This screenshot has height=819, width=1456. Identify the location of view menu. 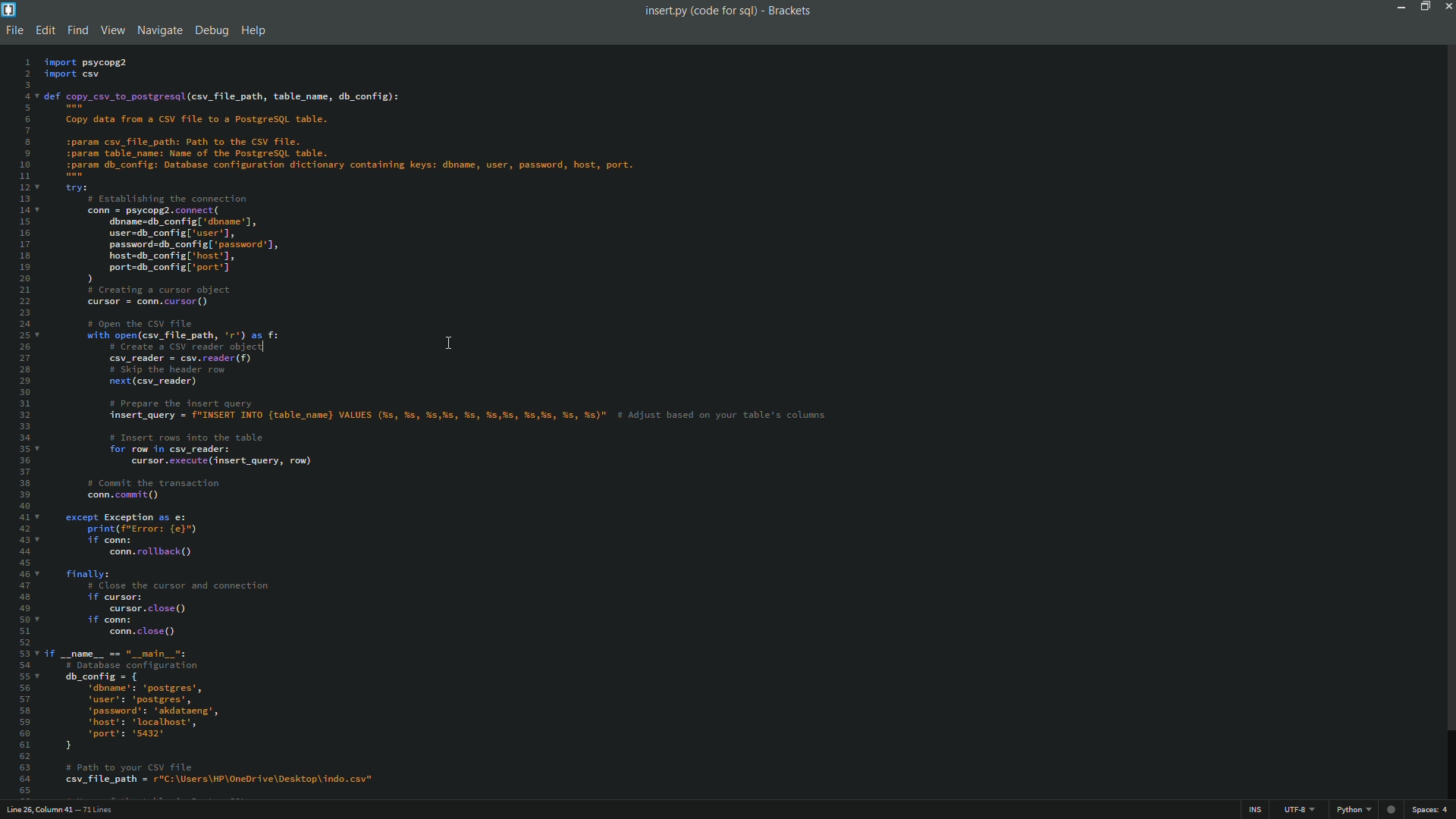
(110, 30).